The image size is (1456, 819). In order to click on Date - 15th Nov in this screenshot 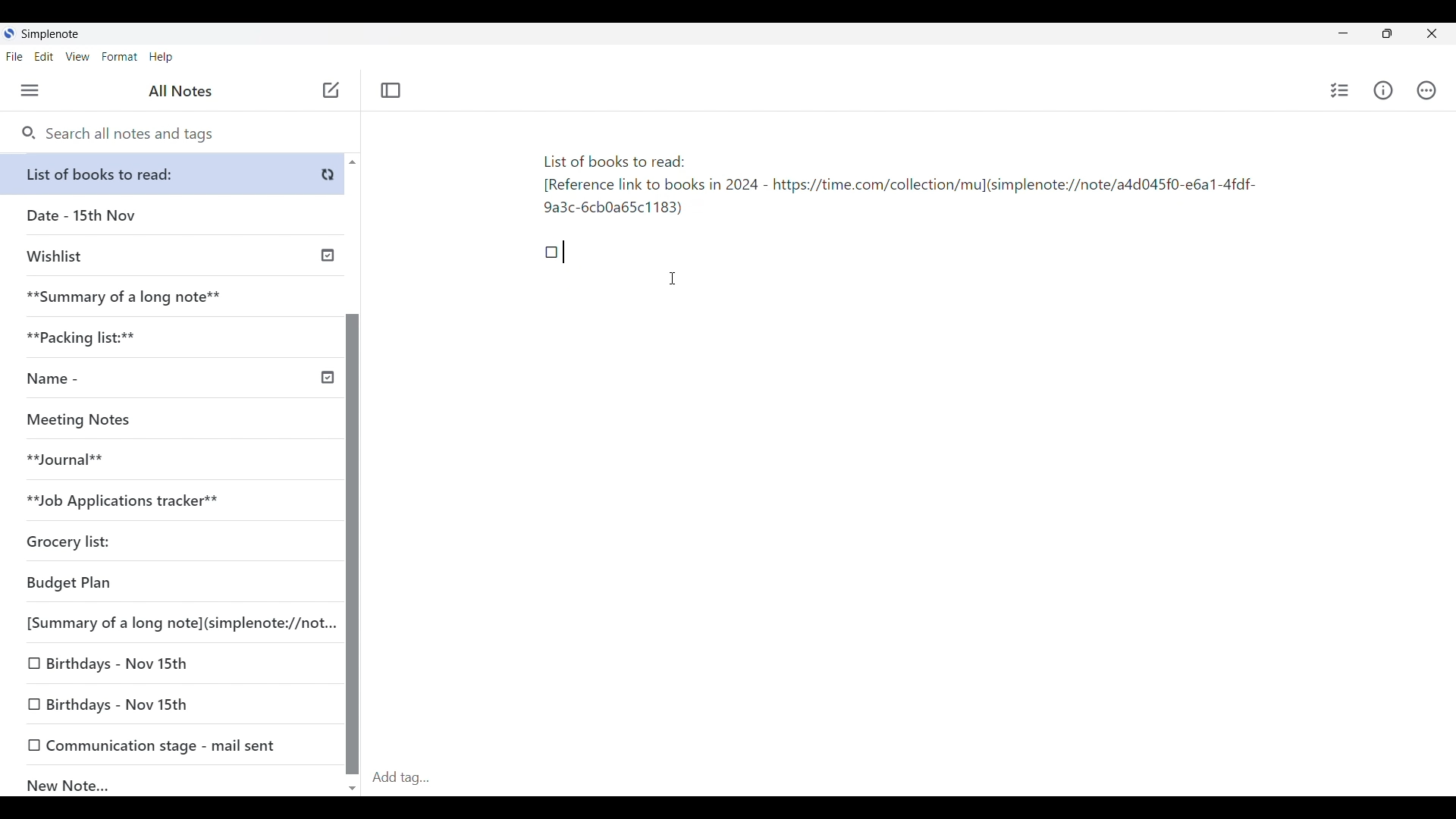, I will do `click(173, 215)`.